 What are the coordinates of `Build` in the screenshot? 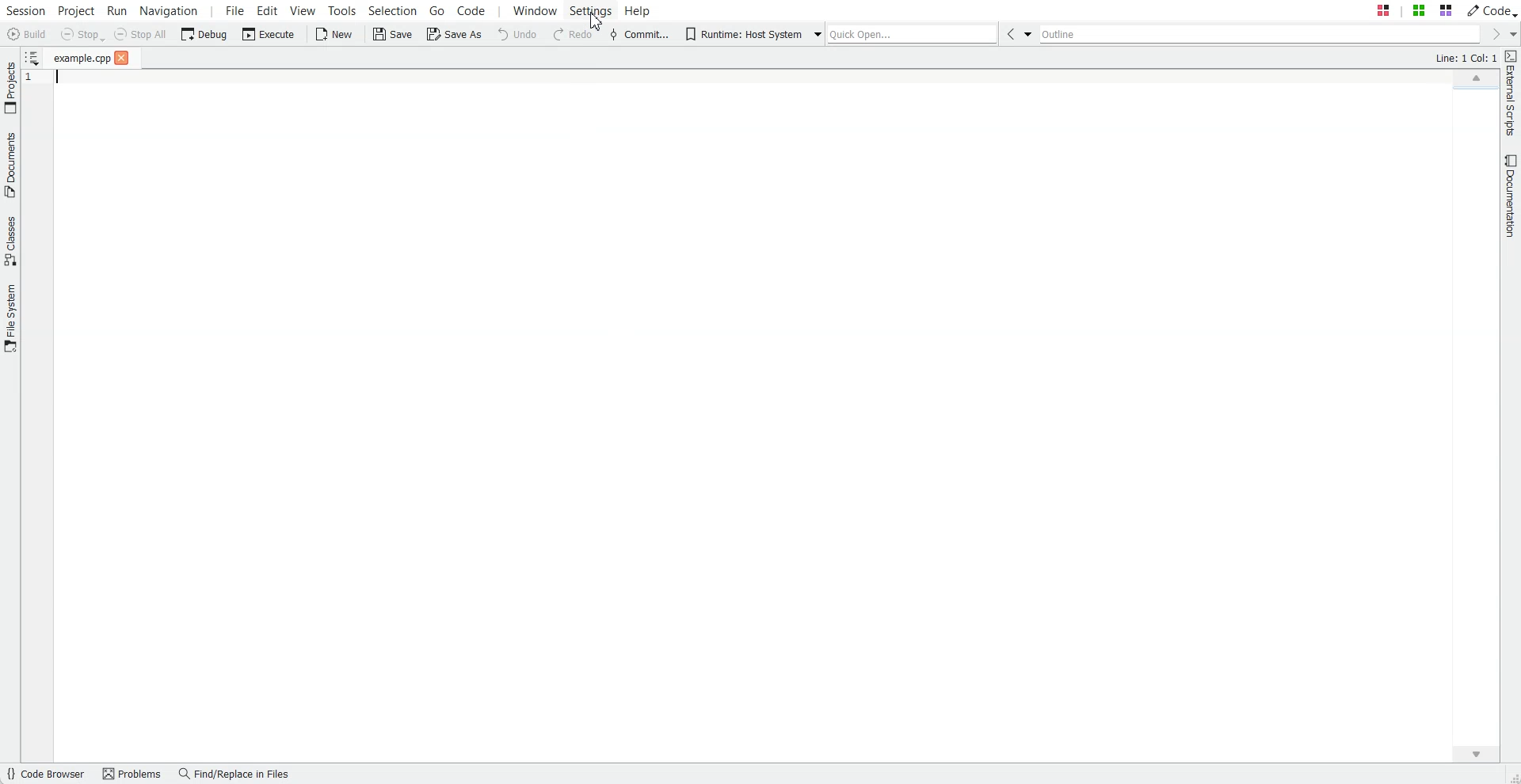 It's located at (25, 34).